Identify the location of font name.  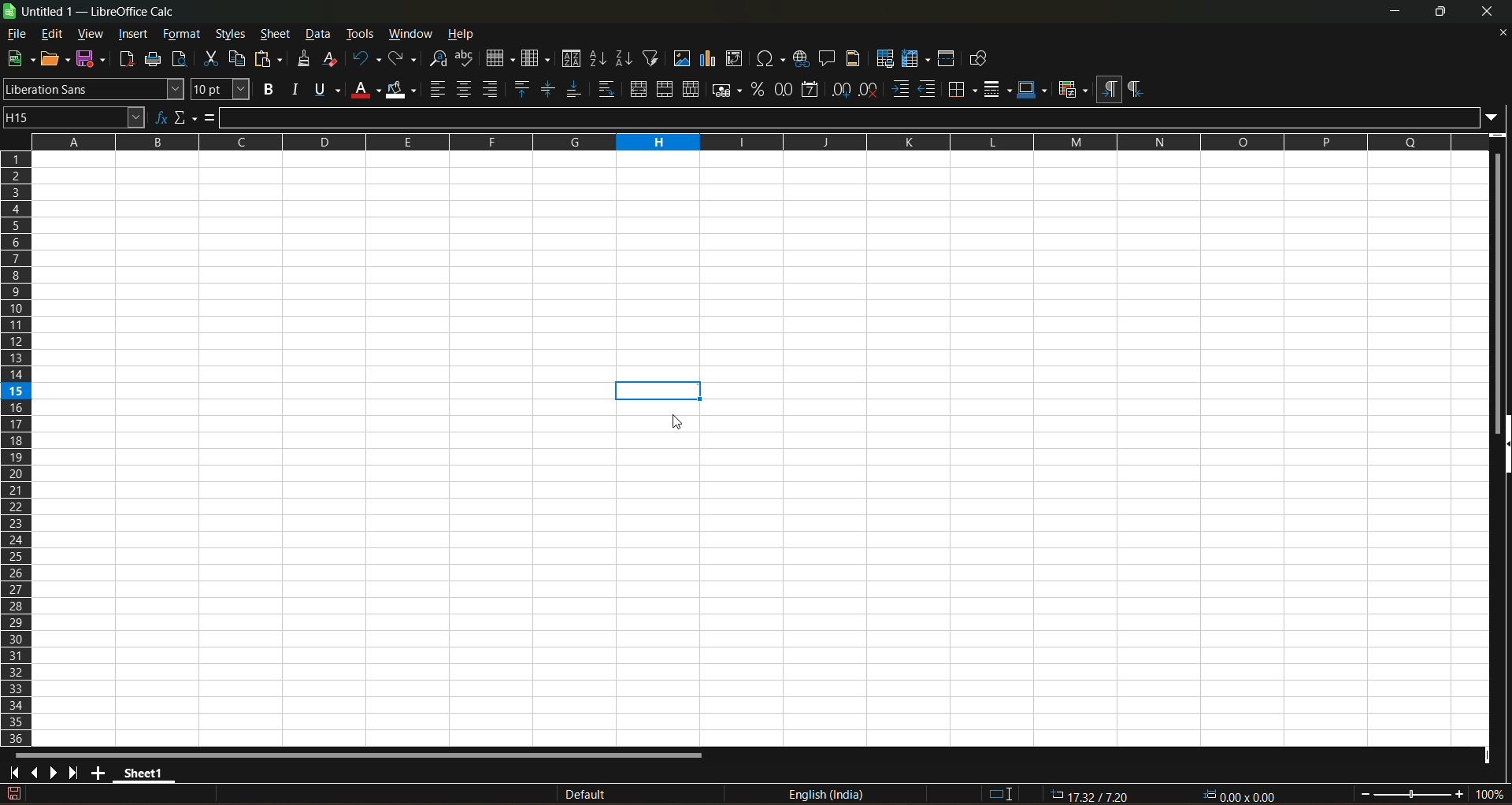
(94, 89).